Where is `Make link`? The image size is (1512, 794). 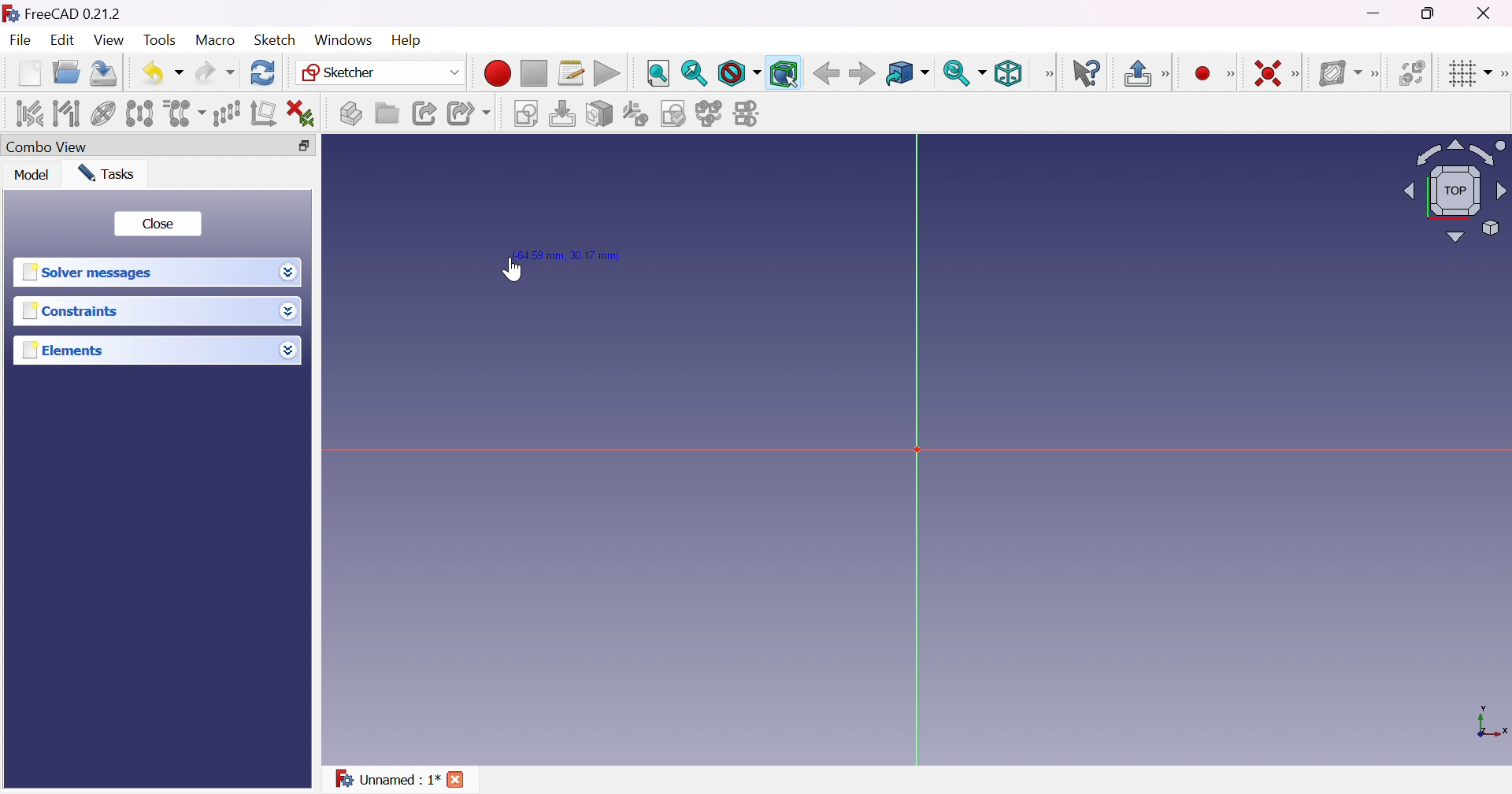 Make link is located at coordinates (427, 114).